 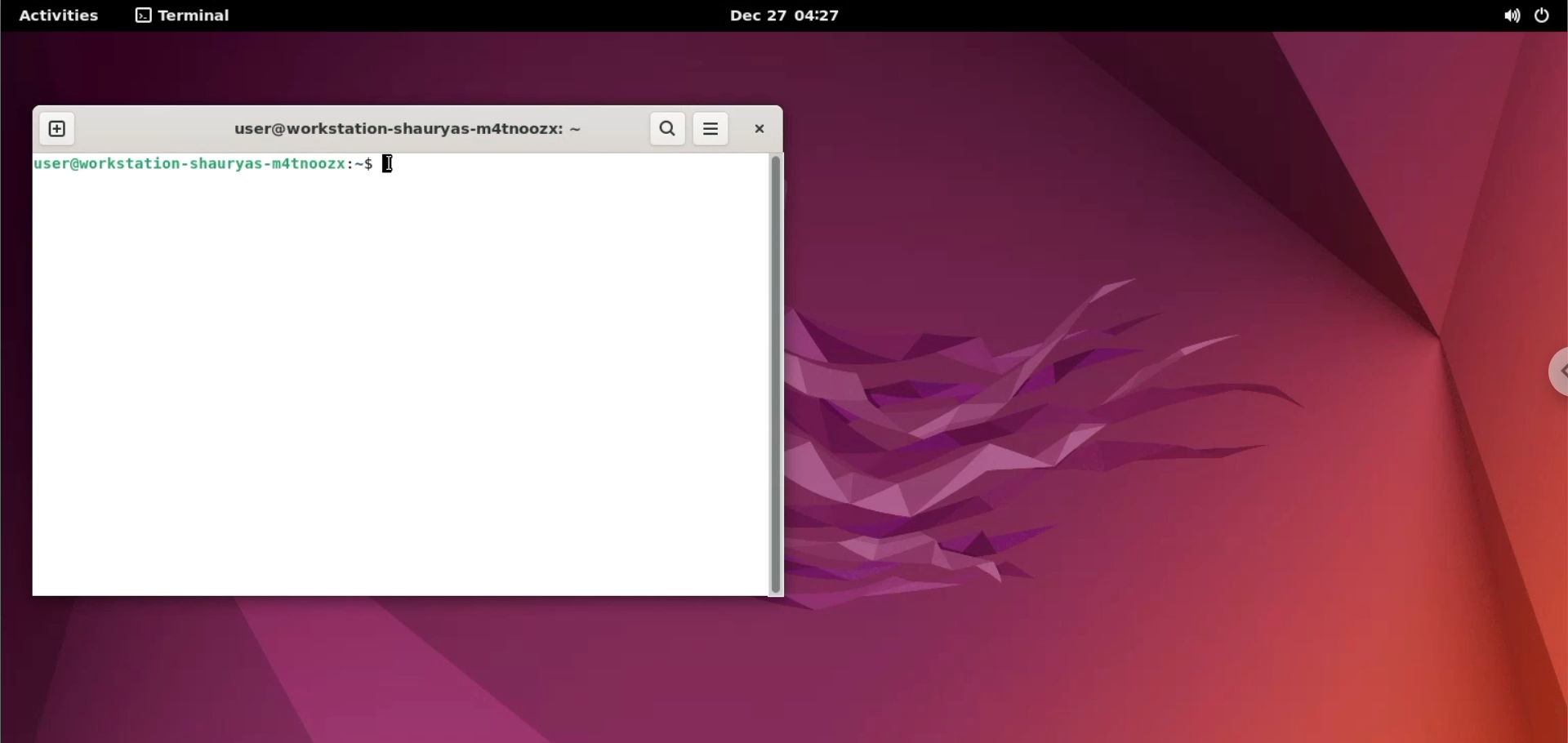 I want to click on more options, so click(x=709, y=129).